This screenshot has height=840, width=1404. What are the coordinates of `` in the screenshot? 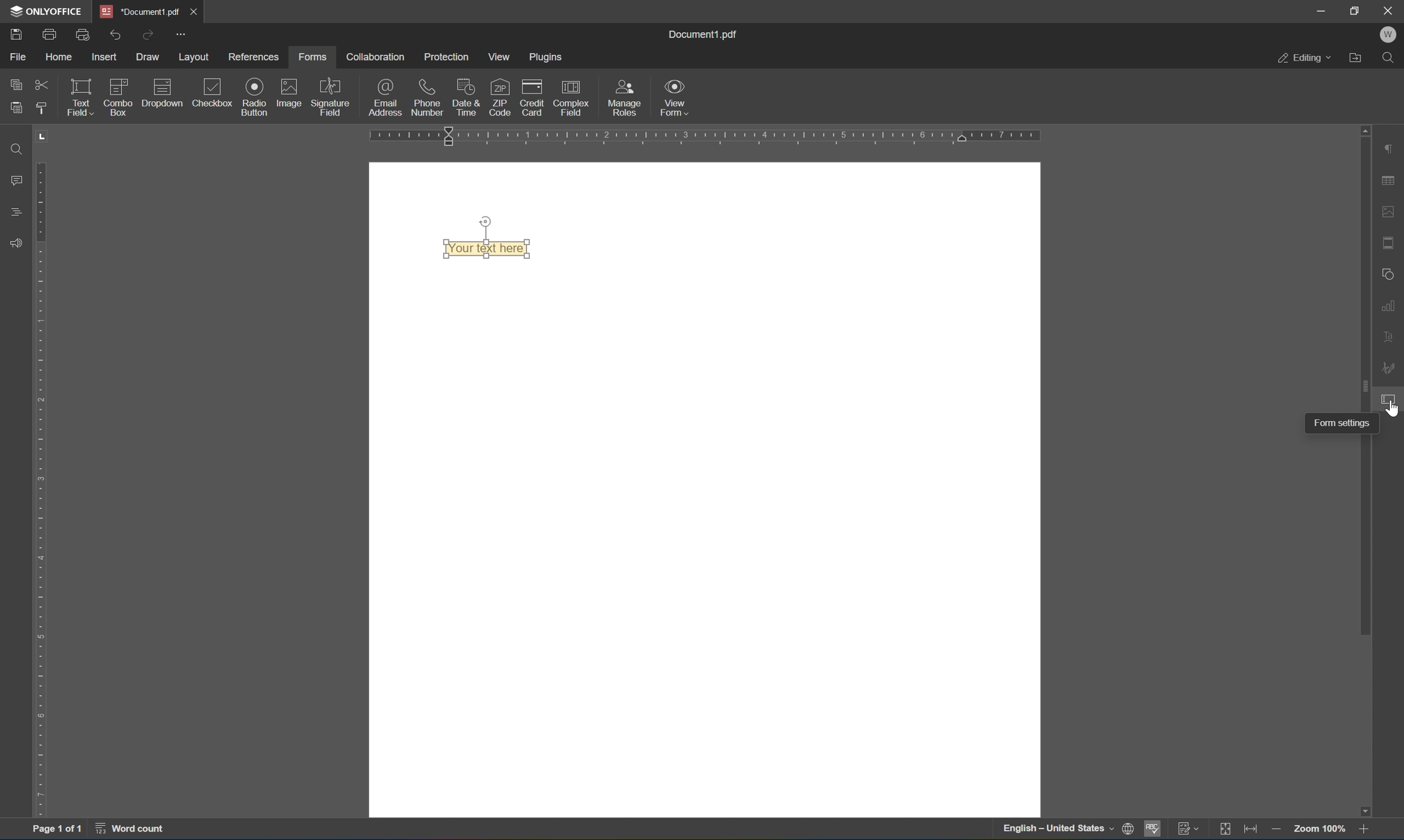 It's located at (254, 97).